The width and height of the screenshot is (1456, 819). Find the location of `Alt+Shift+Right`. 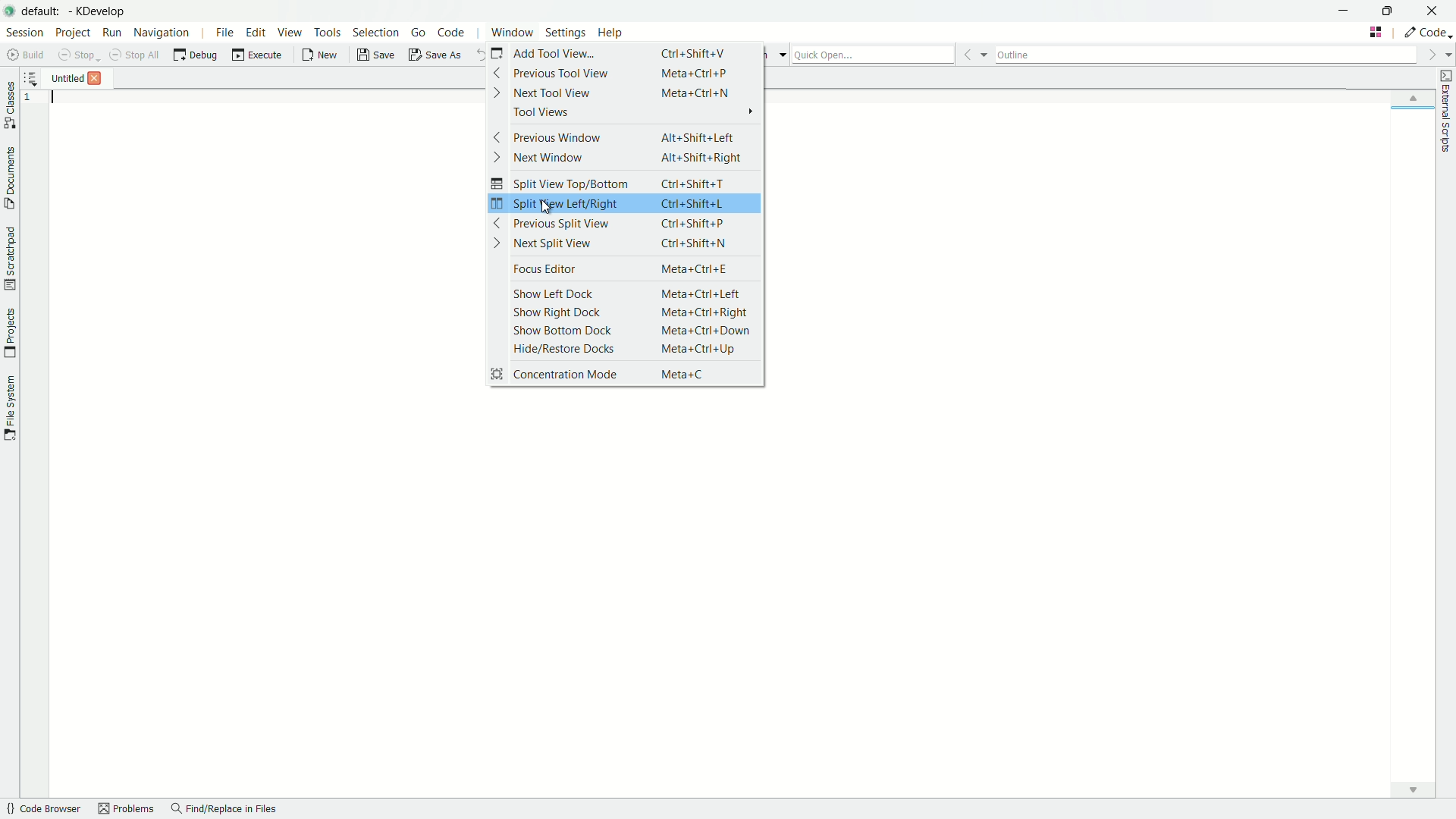

Alt+Shift+Right is located at coordinates (705, 159).